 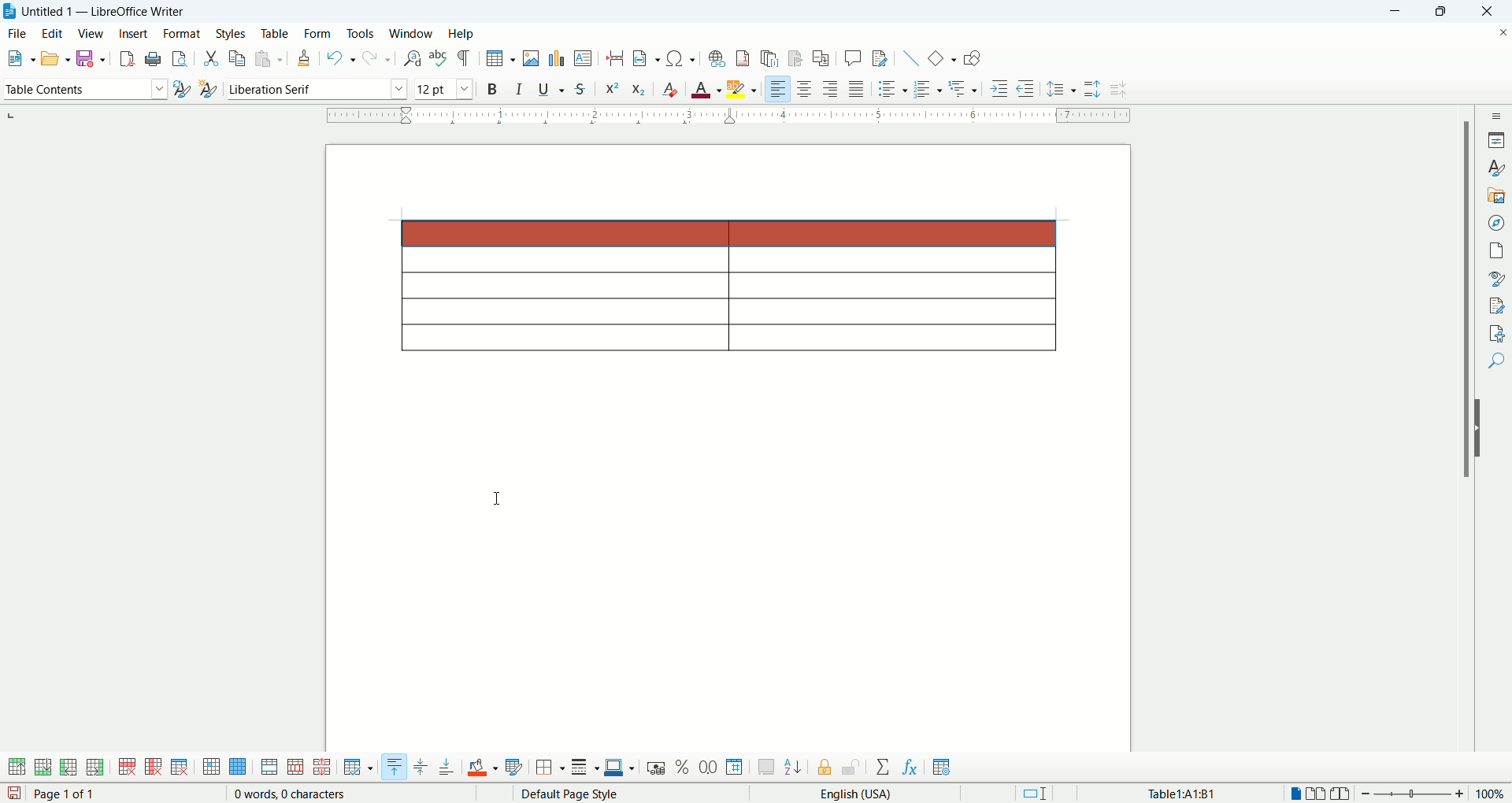 What do you see at coordinates (1091, 89) in the screenshot?
I see `increase paragraph spacing` at bounding box center [1091, 89].